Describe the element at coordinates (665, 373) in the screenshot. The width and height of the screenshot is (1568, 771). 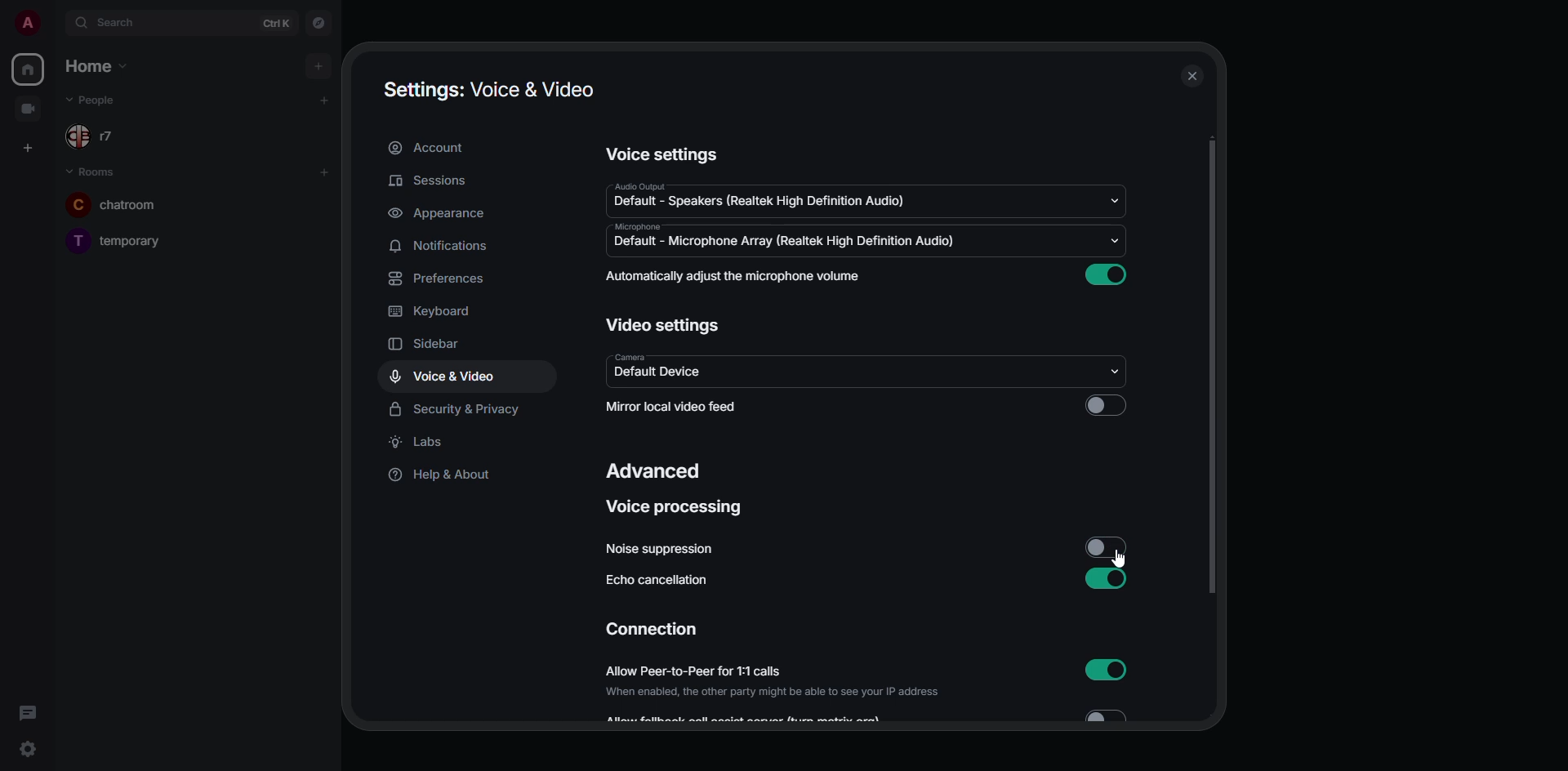
I see `default` at that location.